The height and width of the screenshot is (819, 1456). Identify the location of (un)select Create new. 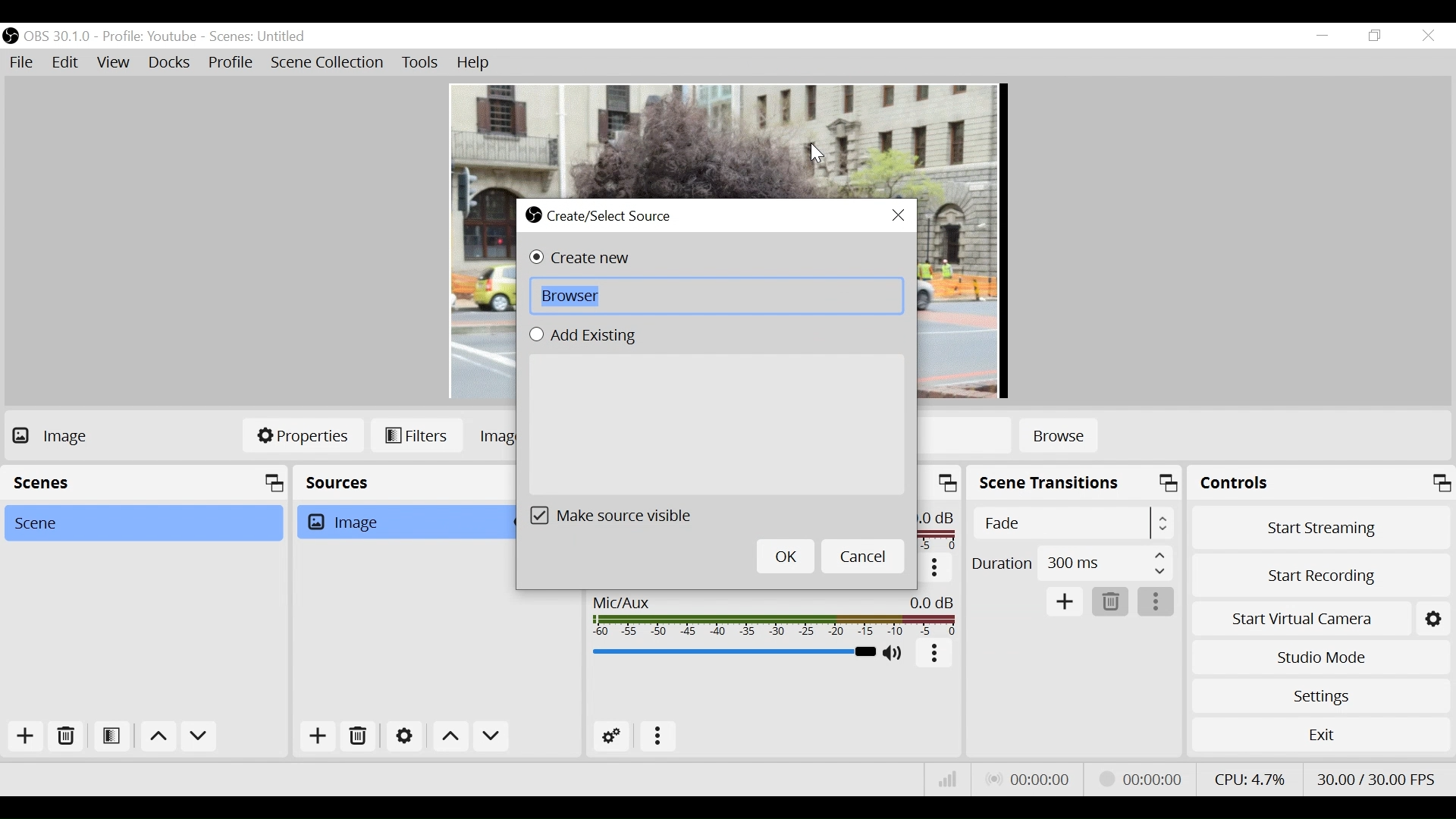
(577, 257).